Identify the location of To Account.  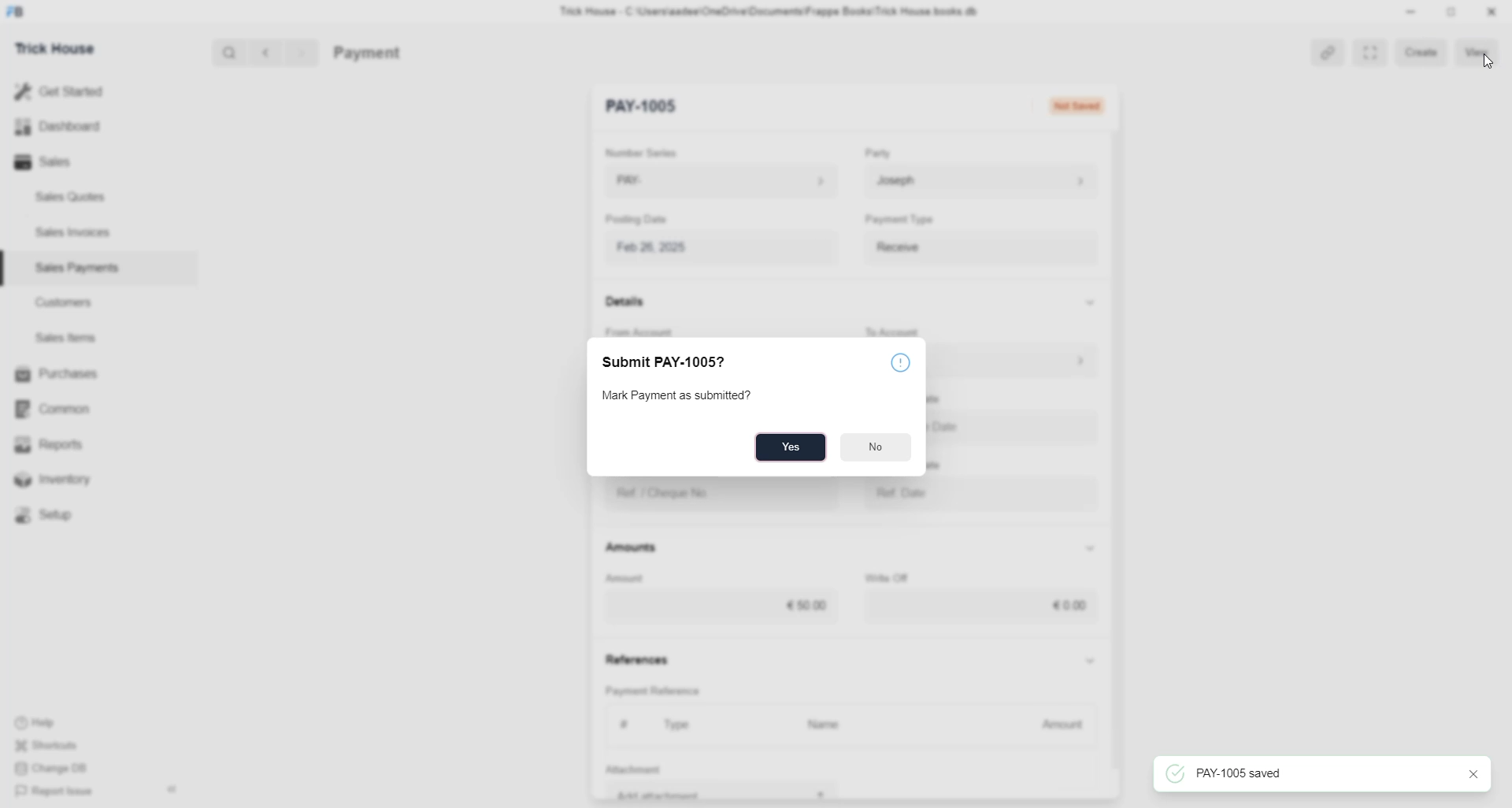
(895, 332).